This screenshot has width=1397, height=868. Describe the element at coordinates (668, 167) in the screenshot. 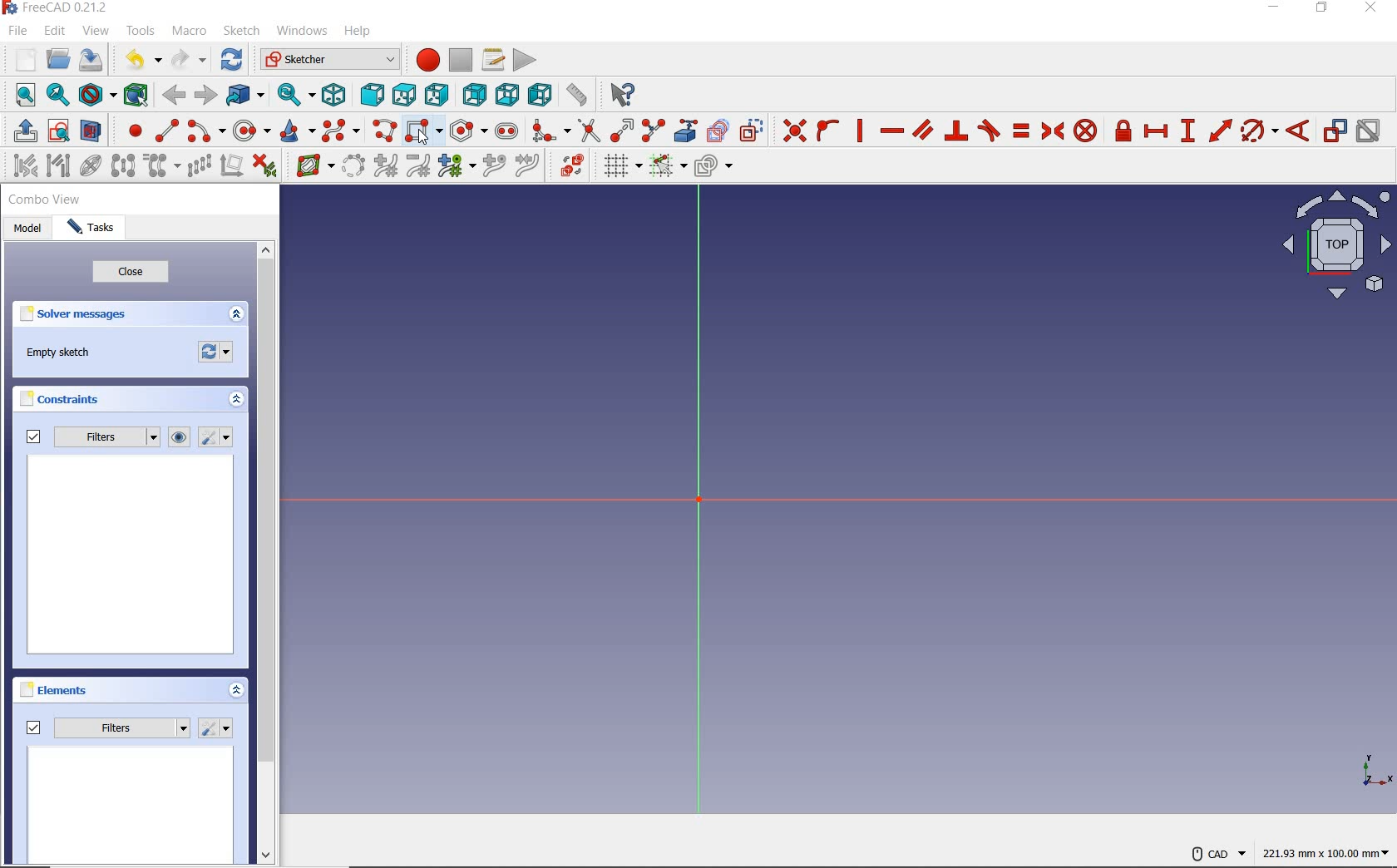

I see `toggle snap` at that location.